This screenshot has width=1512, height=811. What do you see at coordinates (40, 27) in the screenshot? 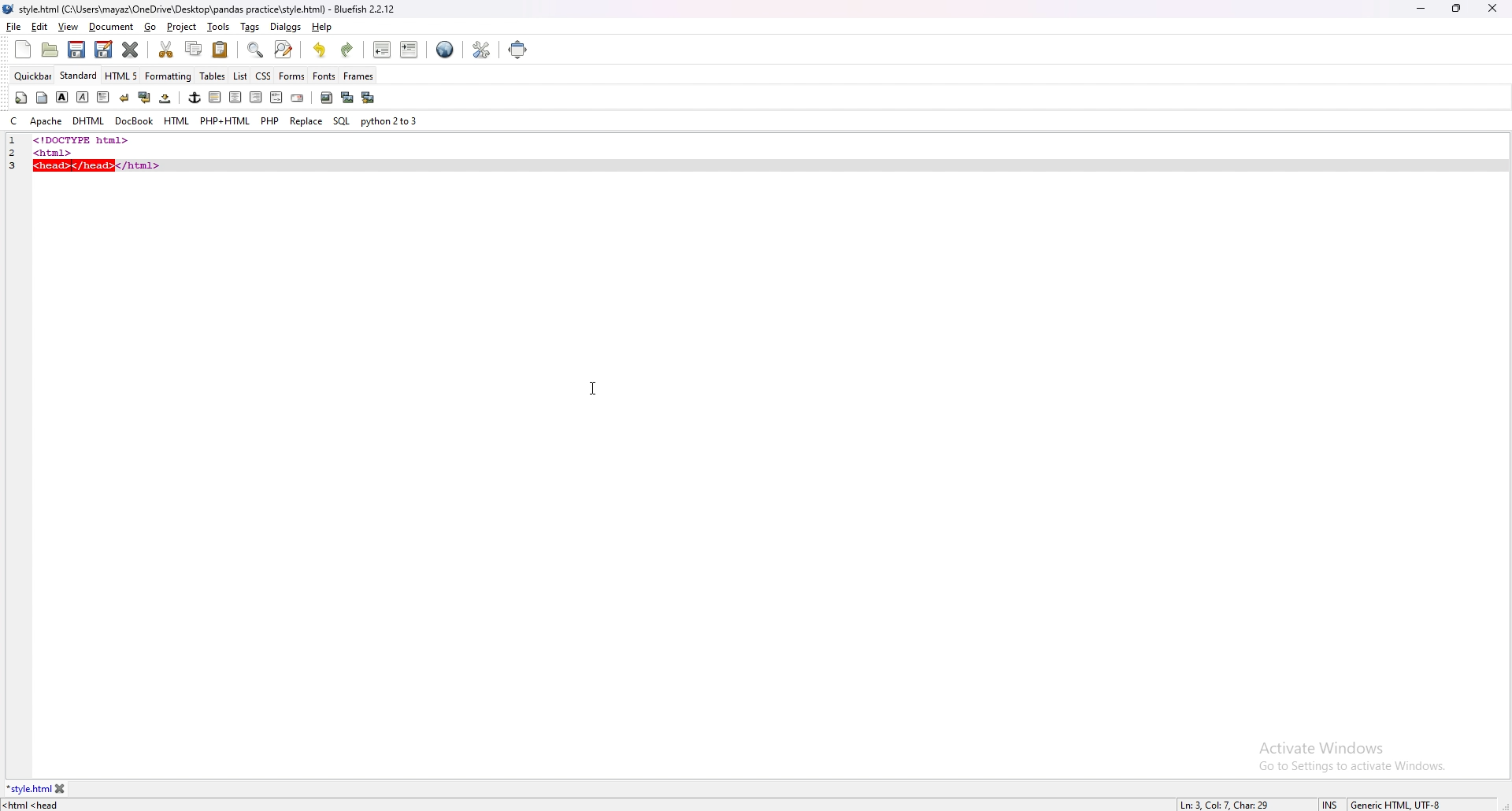
I see `edit` at bounding box center [40, 27].